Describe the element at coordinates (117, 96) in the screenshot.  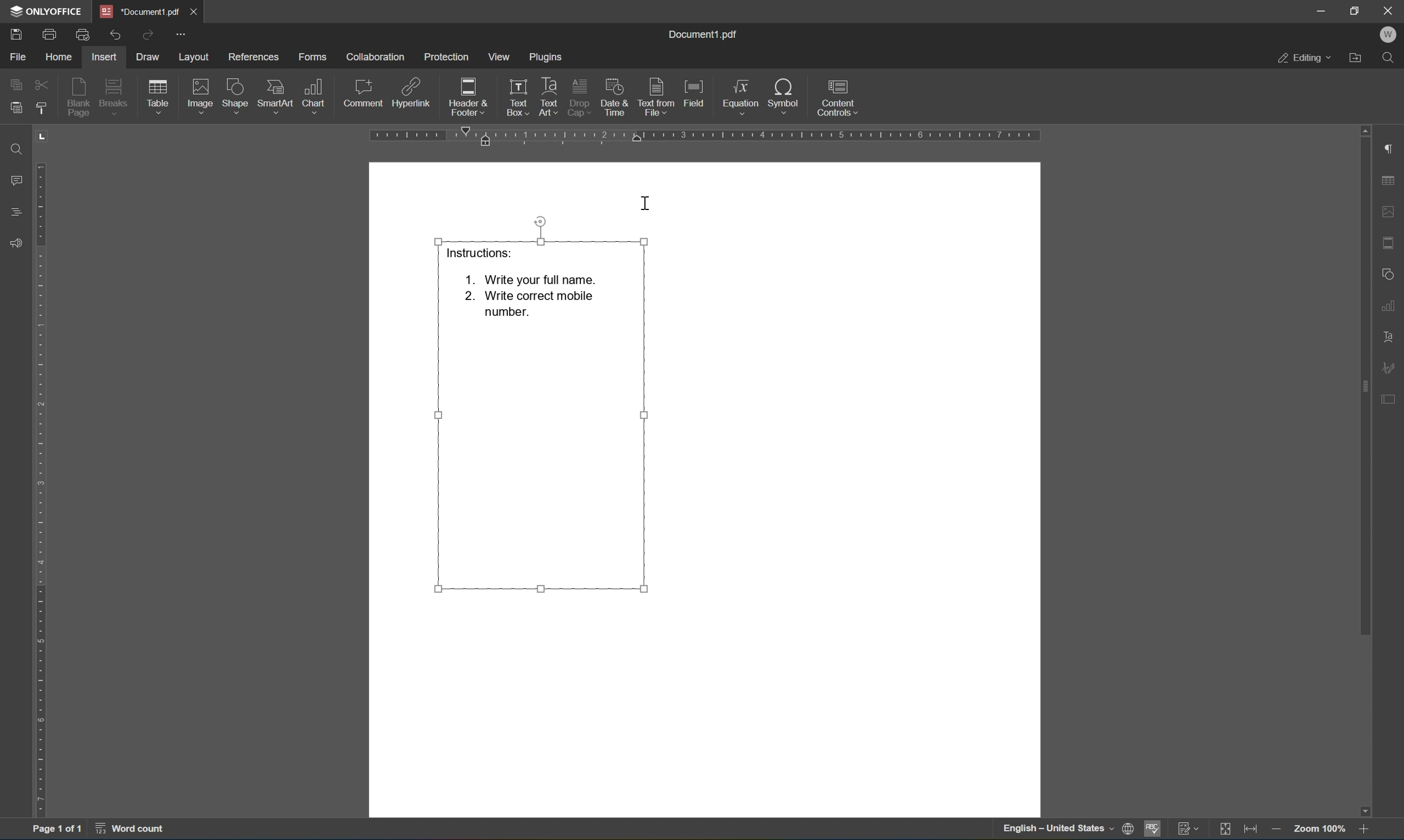
I see `breaks` at that location.